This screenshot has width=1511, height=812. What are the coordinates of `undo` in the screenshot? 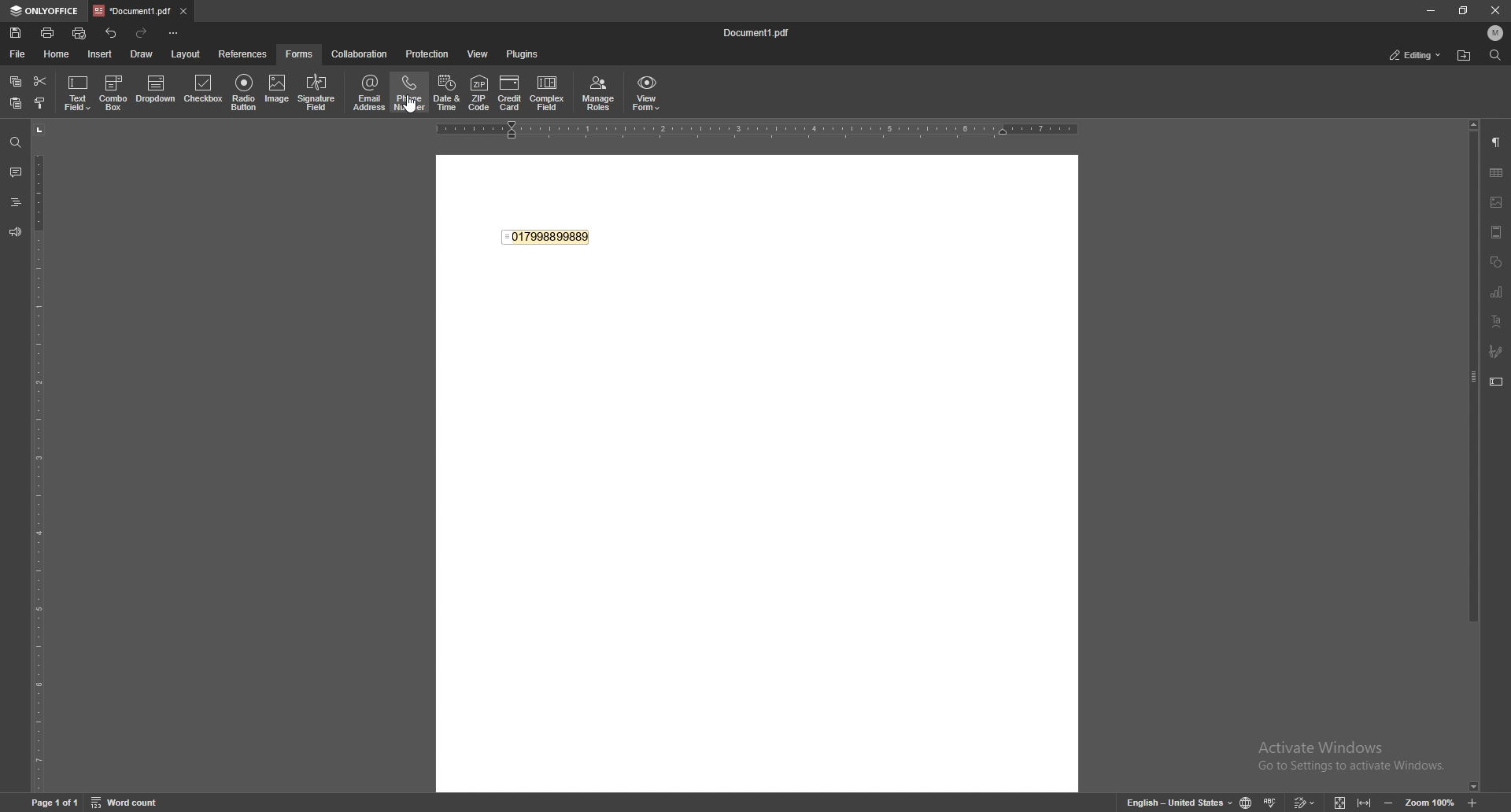 It's located at (112, 34).